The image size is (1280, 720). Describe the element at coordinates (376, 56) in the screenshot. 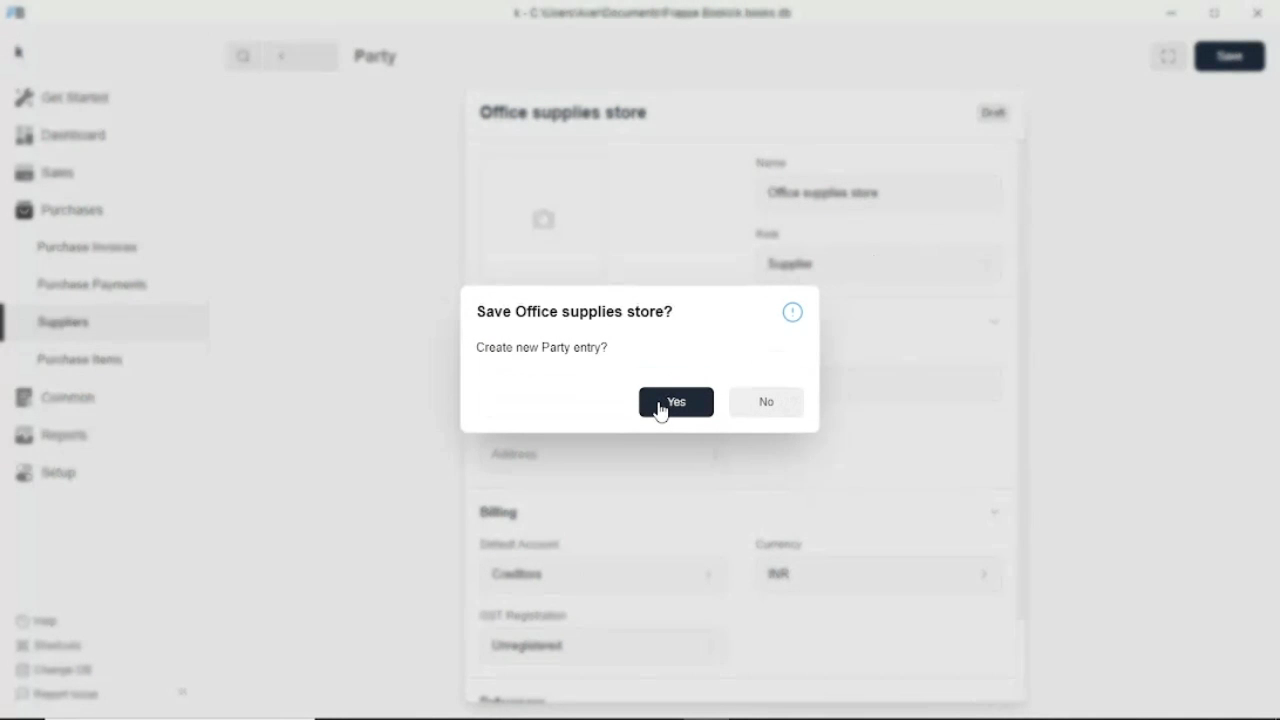

I see `Party` at that location.